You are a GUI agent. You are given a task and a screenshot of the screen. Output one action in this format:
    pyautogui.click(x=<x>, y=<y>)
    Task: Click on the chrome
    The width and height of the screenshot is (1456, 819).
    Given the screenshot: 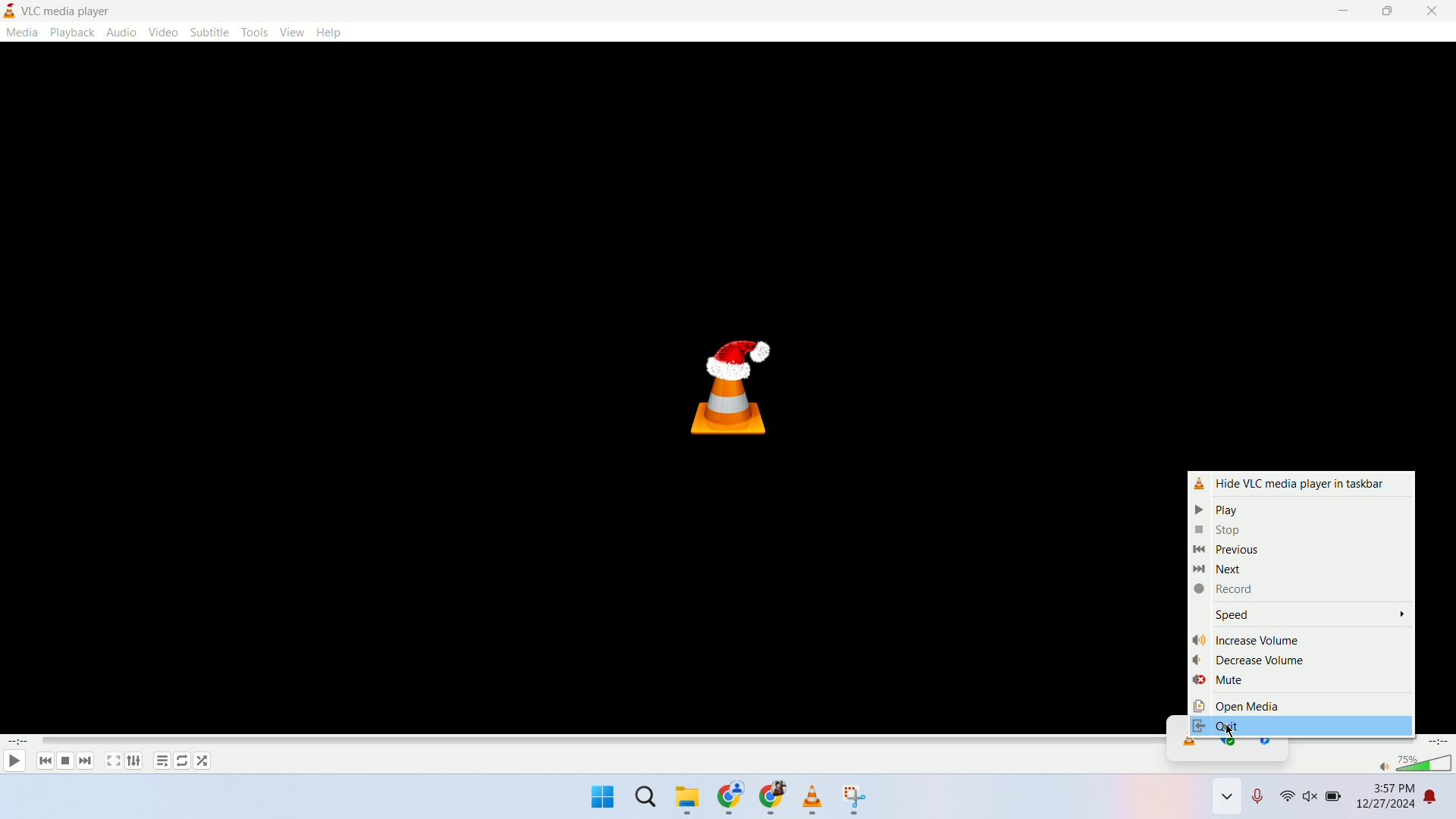 What is the action you would take?
    pyautogui.click(x=771, y=801)
    